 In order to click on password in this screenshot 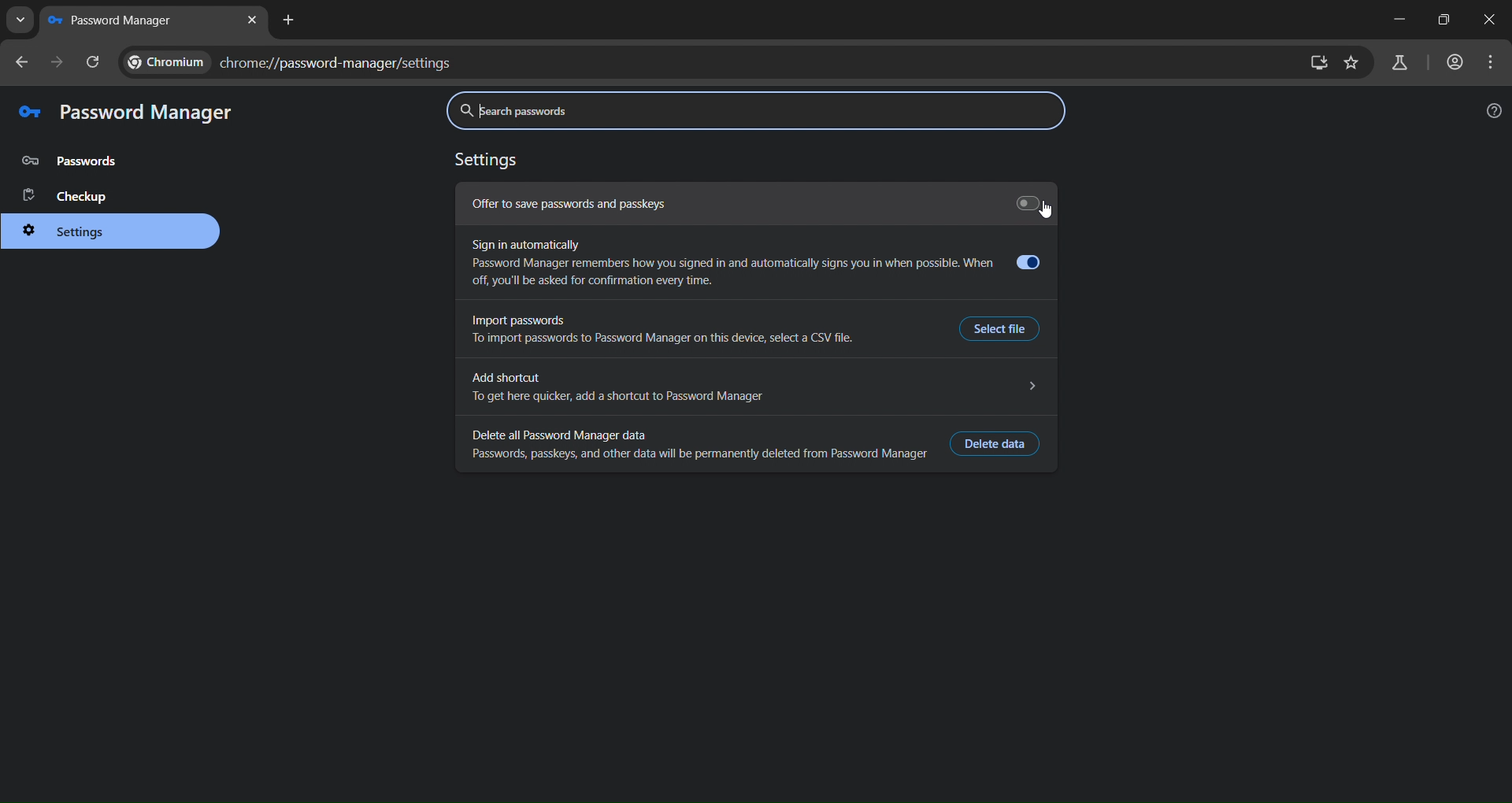, I will do `click(101, 162)`.